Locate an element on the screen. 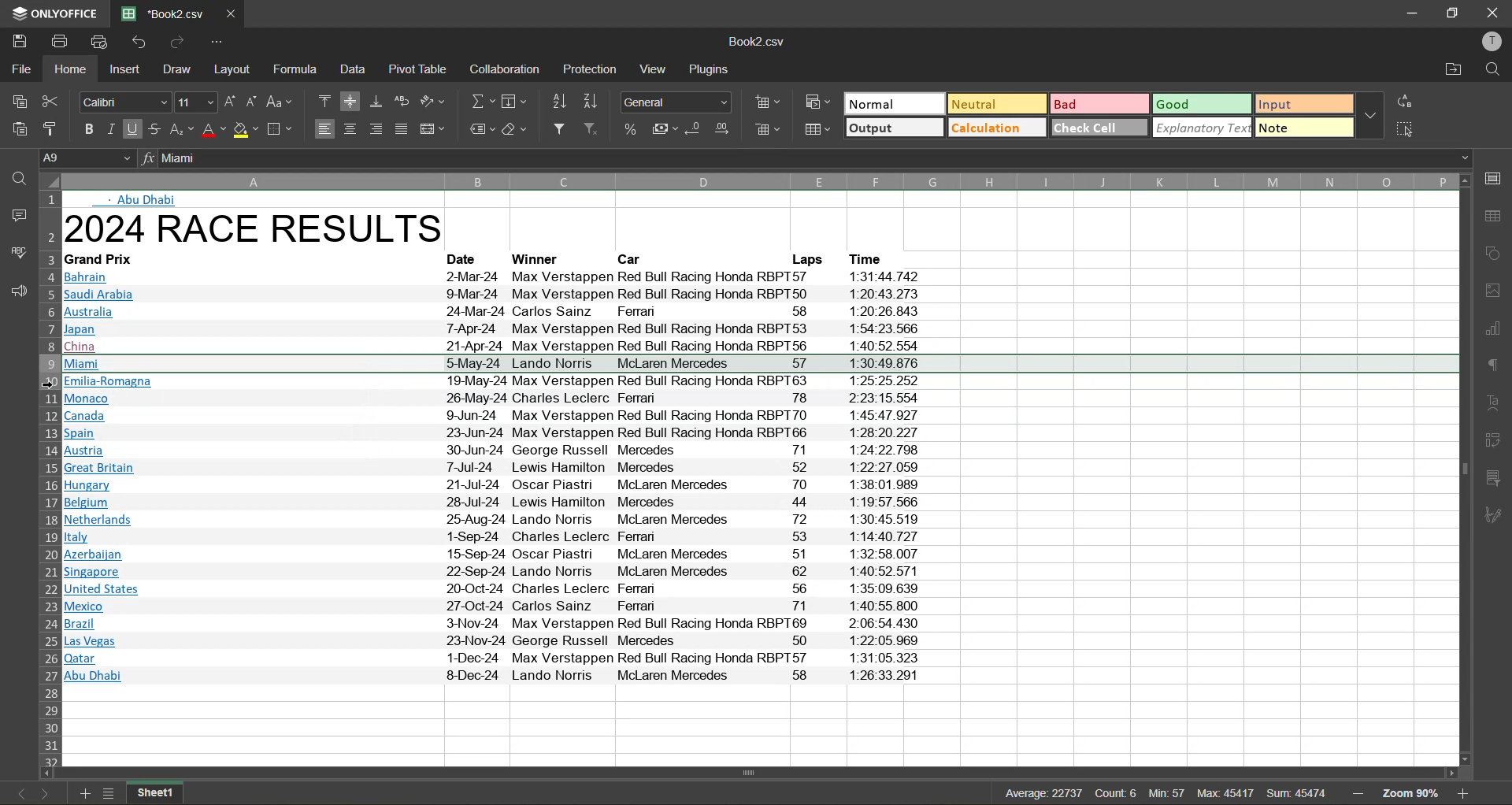 This screenshot has height=805, width=1512. align middle is located at coordinates (350, 102).